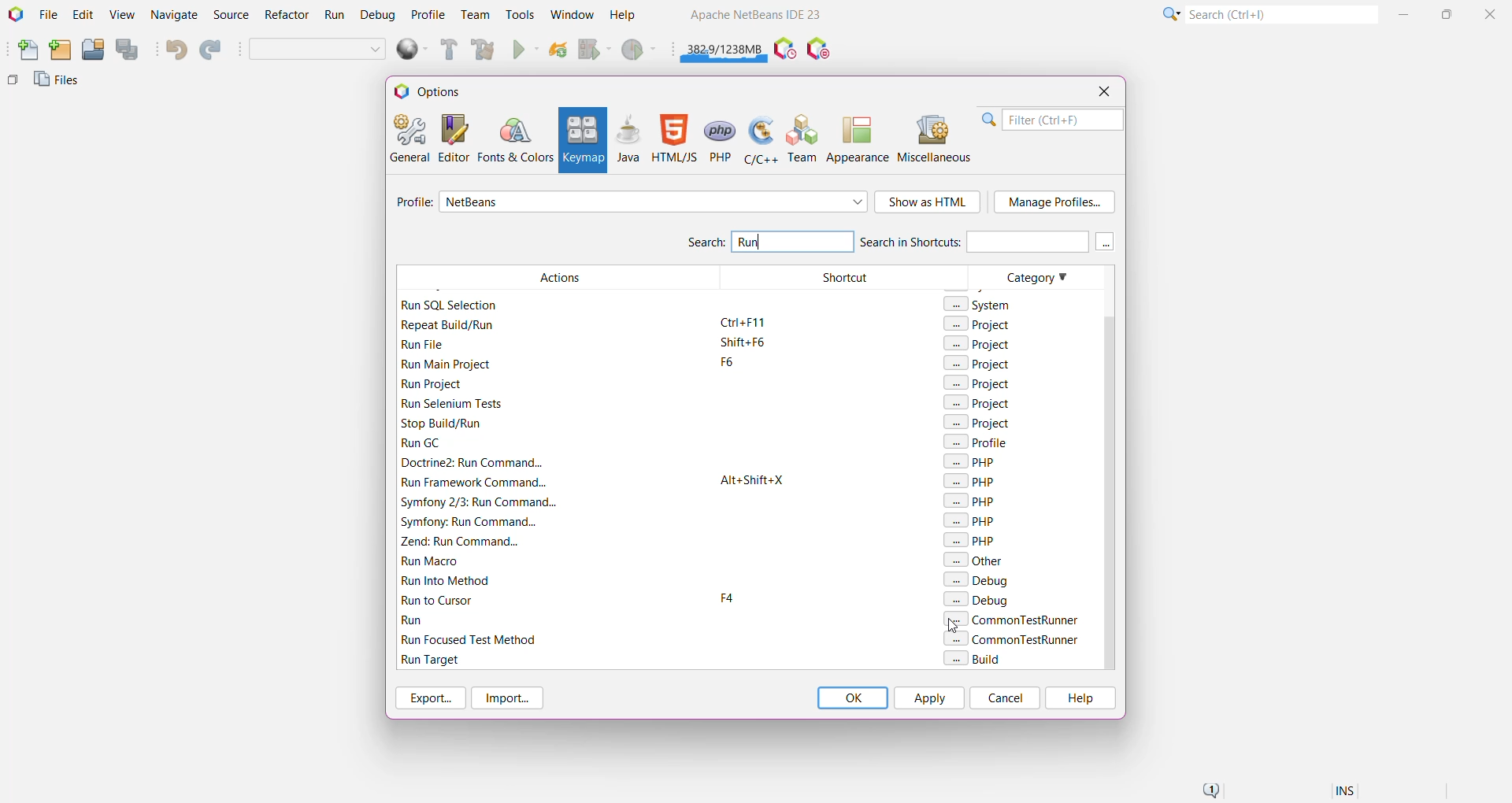  What do you see at coordinates (581, 140) in the screenshot?
I see `Keymap` at bounding box center [581, 140].